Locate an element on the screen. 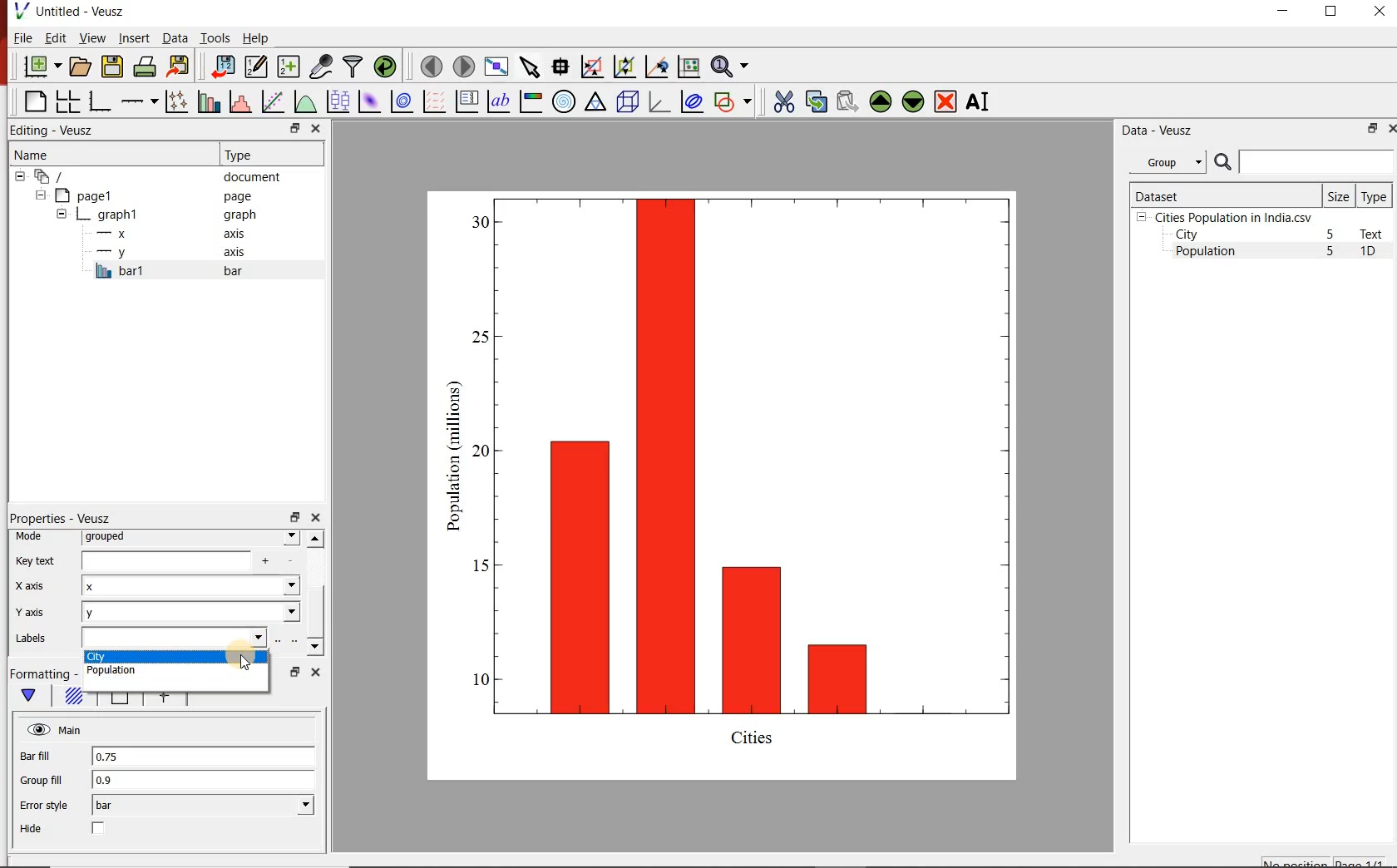  Tools is located at coordinates (214, 37).